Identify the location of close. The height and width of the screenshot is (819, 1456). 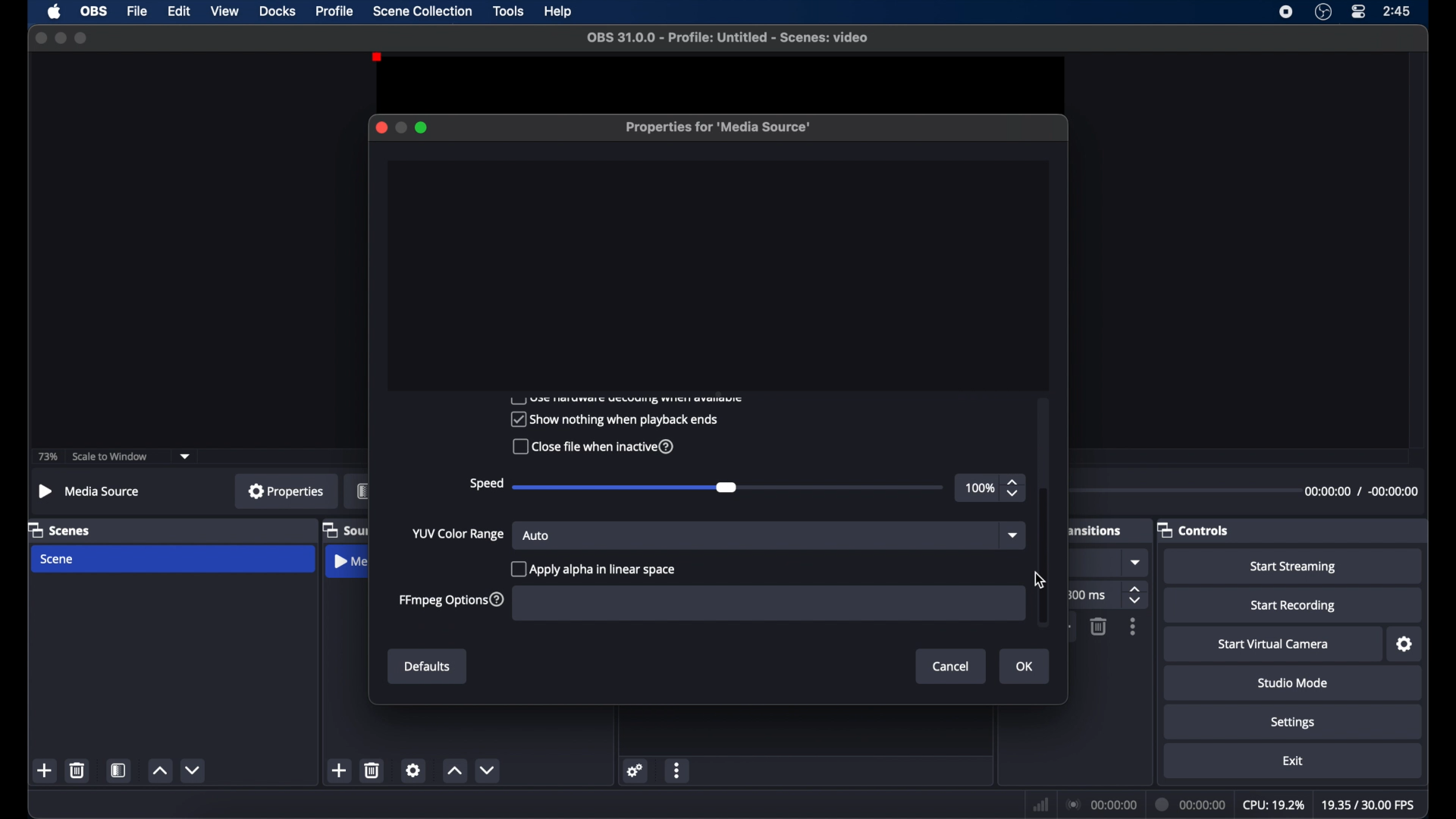
(38, 37).